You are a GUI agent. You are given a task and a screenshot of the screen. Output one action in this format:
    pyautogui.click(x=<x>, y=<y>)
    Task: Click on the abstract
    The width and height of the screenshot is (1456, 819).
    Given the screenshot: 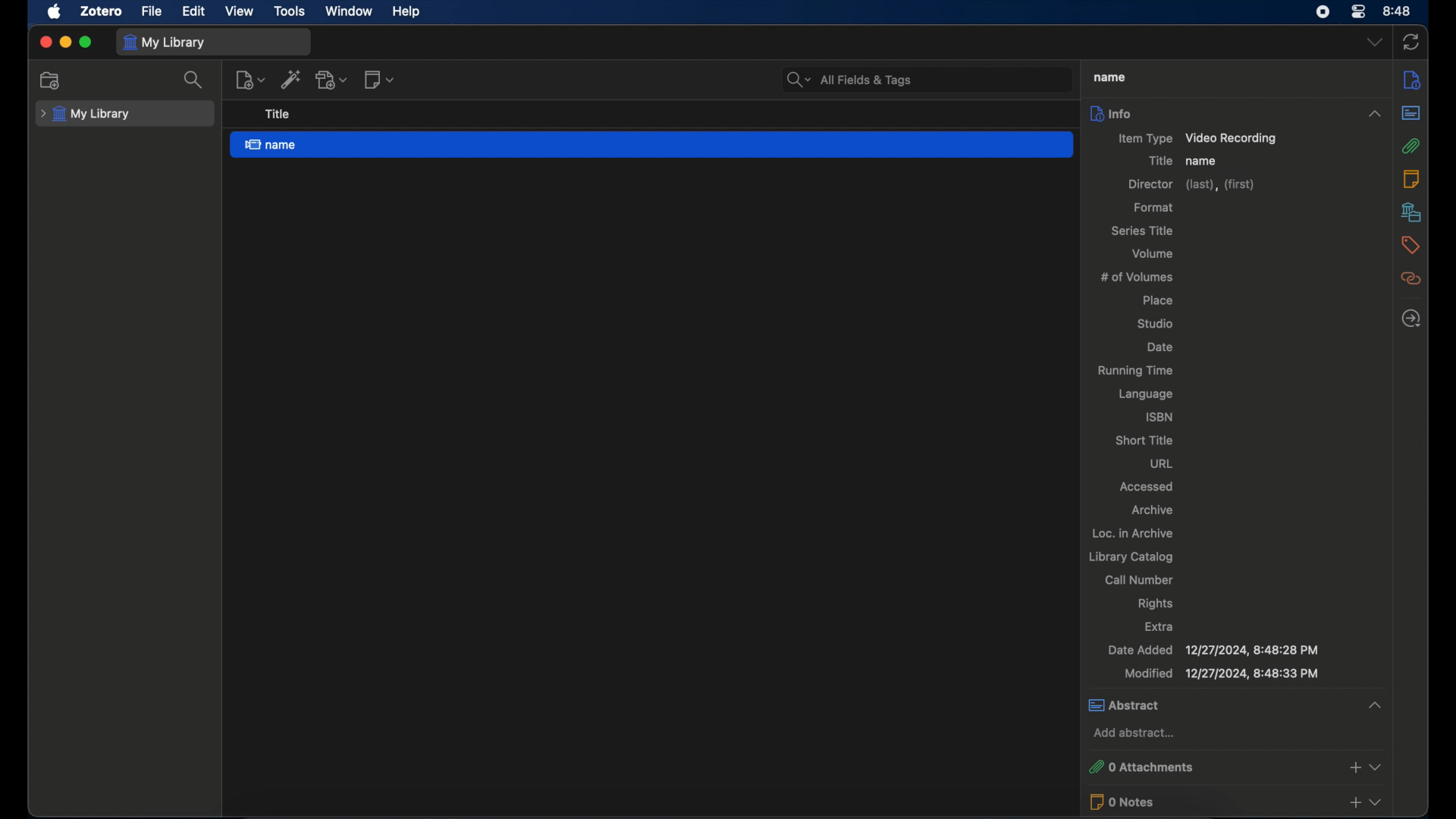 What is the action you would take?
    pyautogui.click(x=1410, y=112)
    